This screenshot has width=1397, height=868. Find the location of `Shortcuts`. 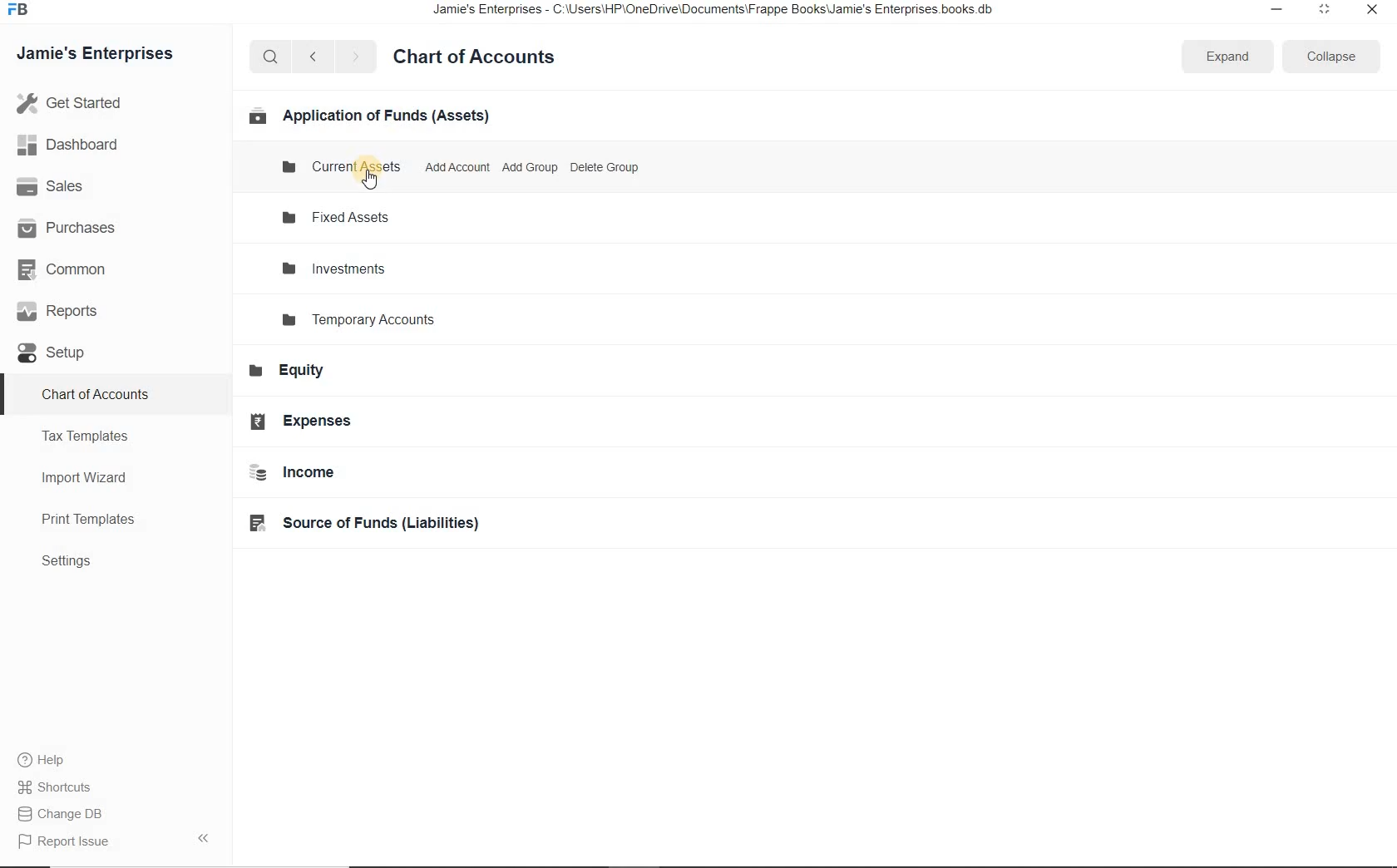

Shortcuts is located at coordinates (57, 787).